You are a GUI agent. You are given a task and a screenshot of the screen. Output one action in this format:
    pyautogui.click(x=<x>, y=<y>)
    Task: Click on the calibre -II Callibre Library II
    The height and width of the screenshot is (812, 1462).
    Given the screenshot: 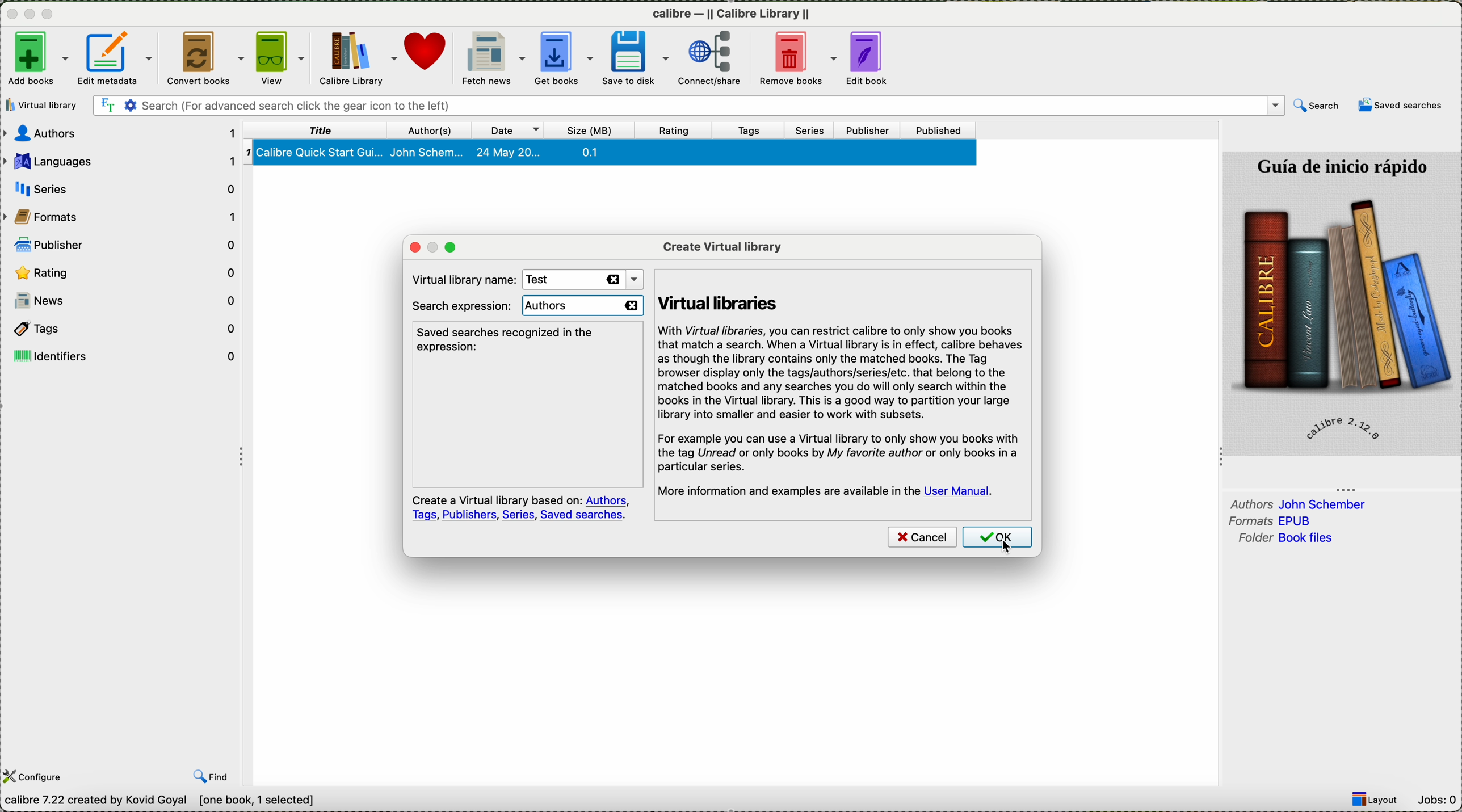 What is the action you would take?
    pyautogui.click(x=732, y=16)
    